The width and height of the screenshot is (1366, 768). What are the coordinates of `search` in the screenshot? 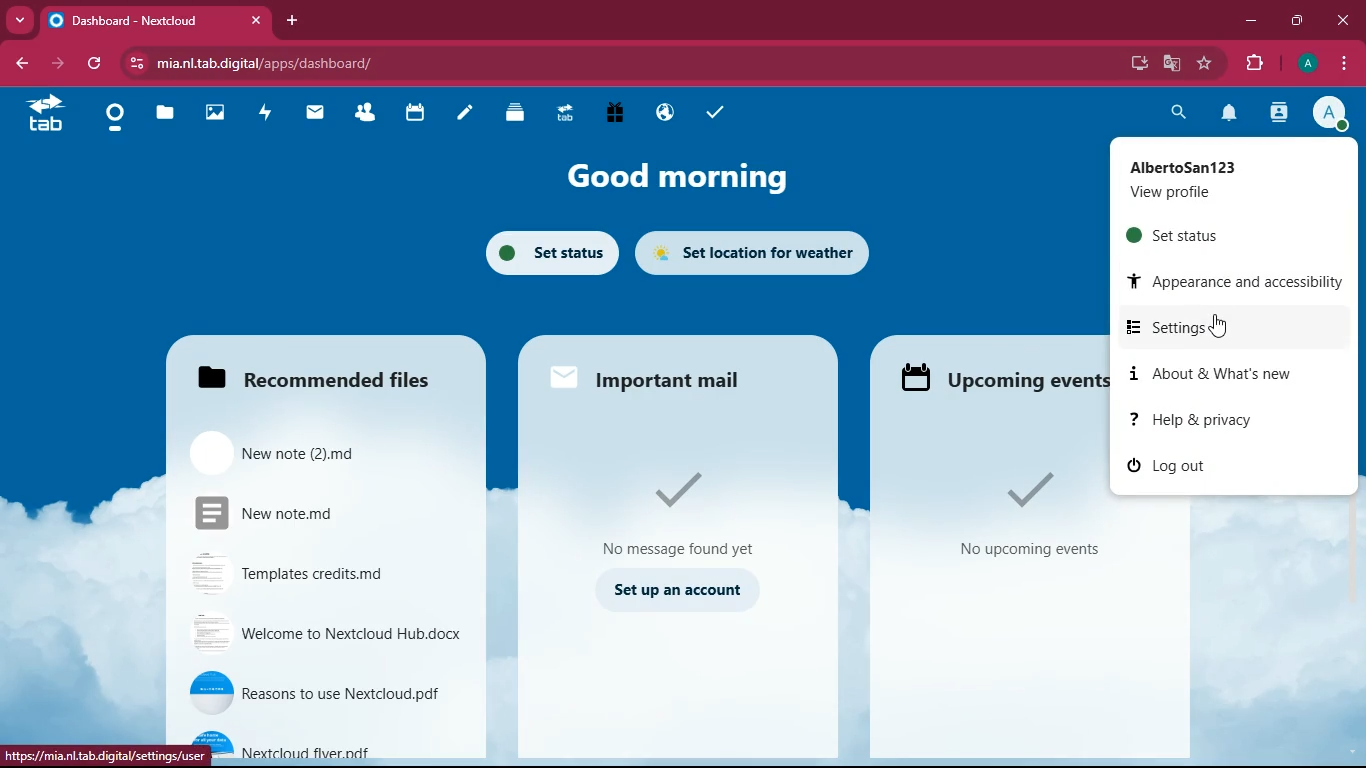 It's located at (1174, 113).